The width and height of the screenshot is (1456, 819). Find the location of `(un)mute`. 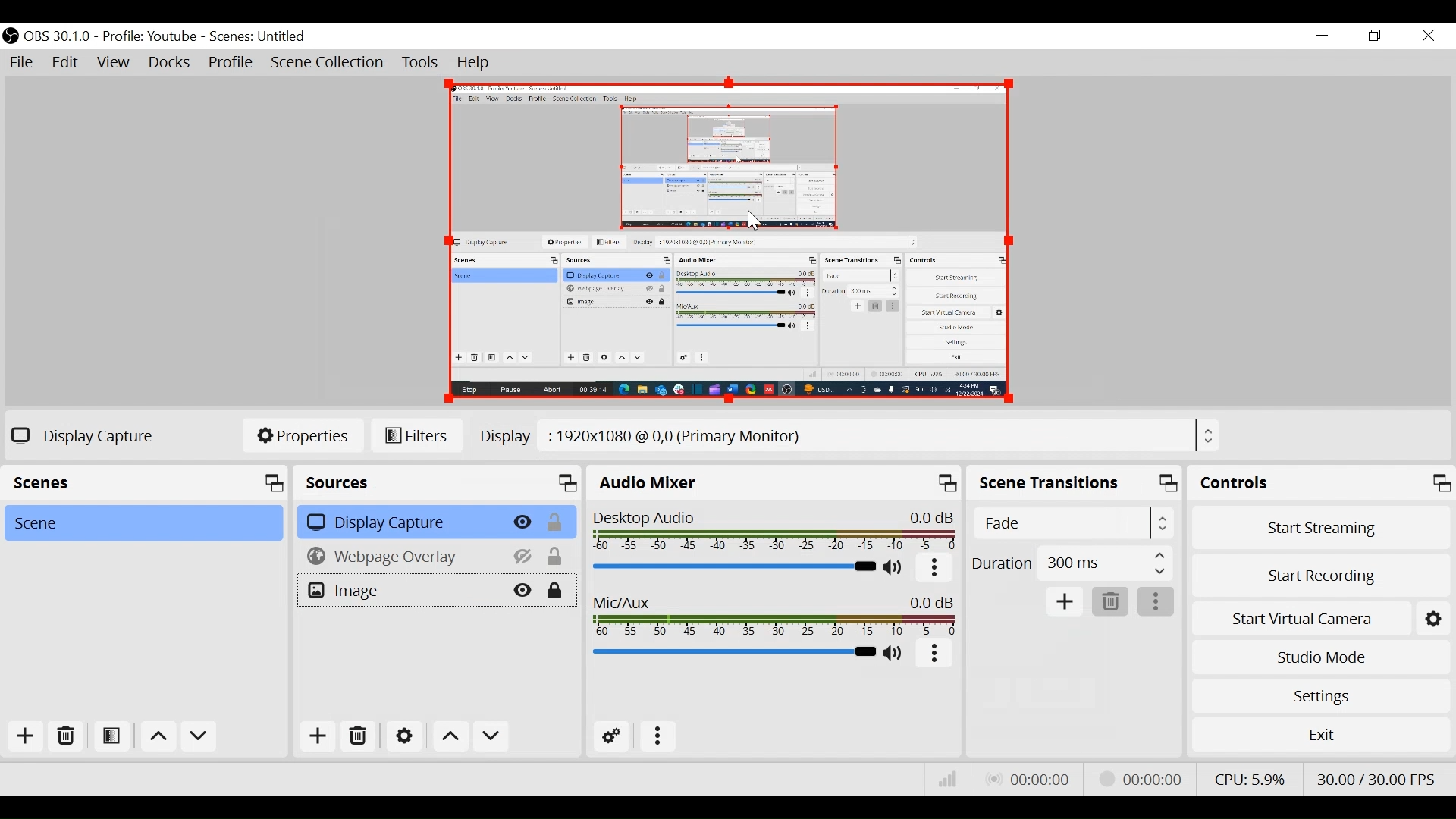

(un)mute is located at coordinates (894, 568).